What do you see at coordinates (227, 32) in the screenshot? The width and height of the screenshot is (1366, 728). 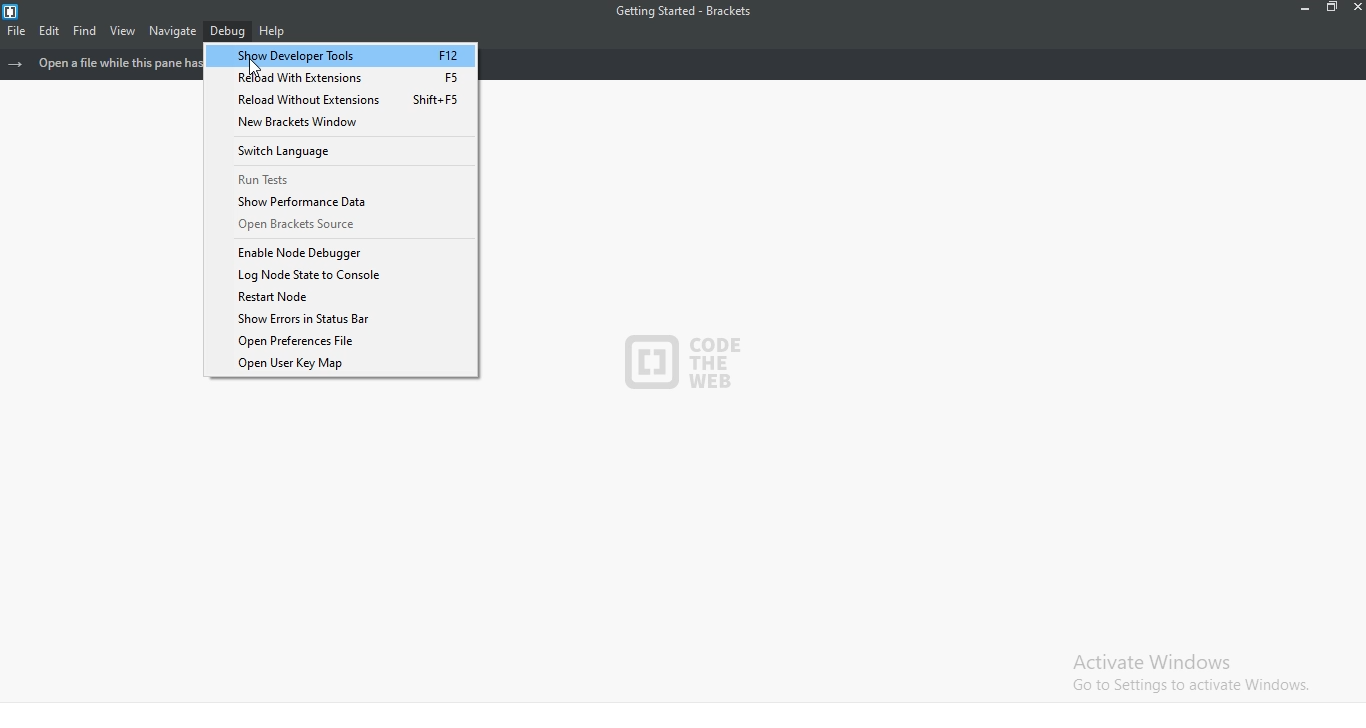 I see `debug` at bounding box center [227, 32].